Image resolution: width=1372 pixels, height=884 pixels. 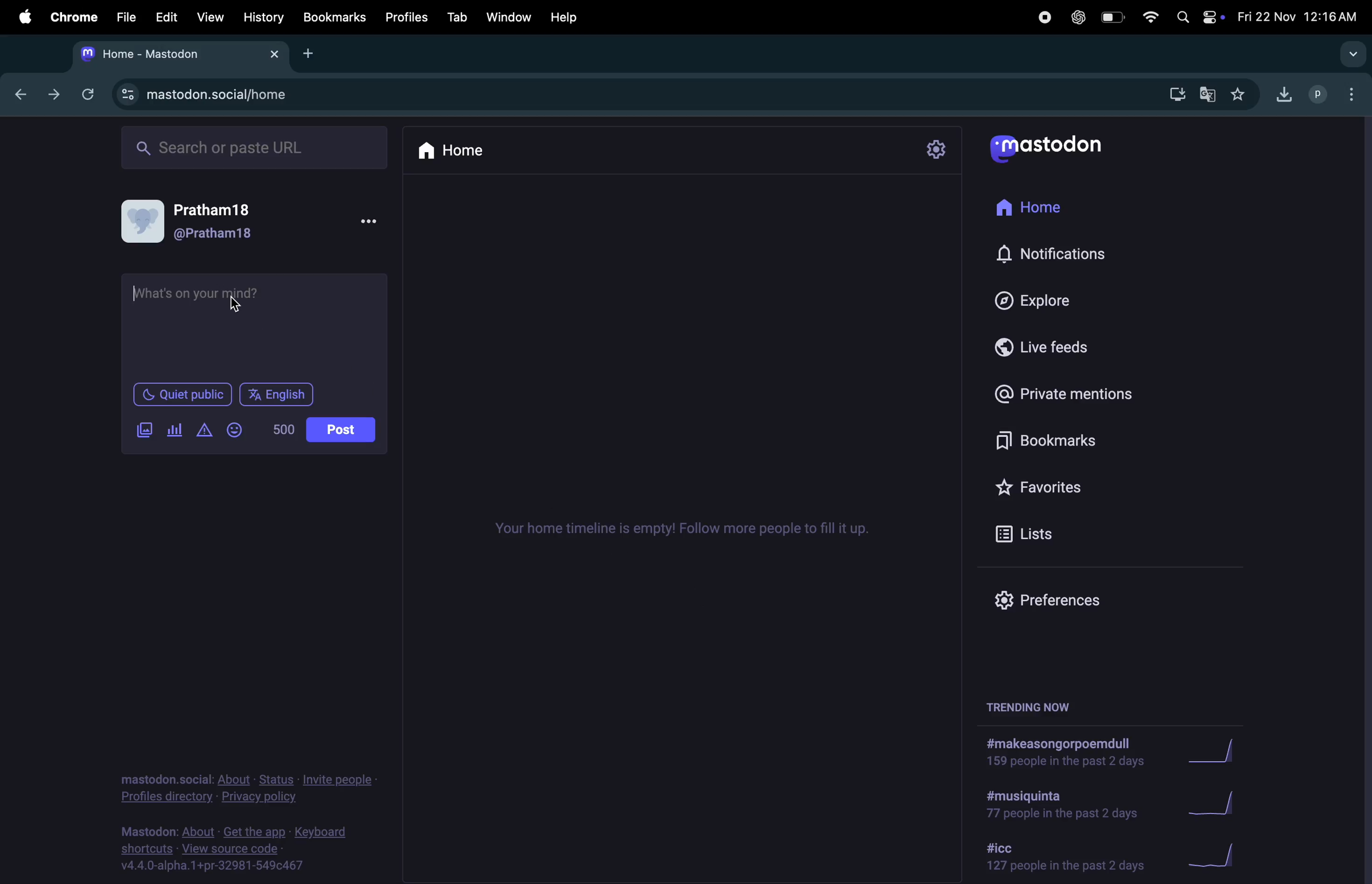 What do you see at coordinates (87, 92) in the screenshot?
I see `refresh` at bounding box center [87, 92].